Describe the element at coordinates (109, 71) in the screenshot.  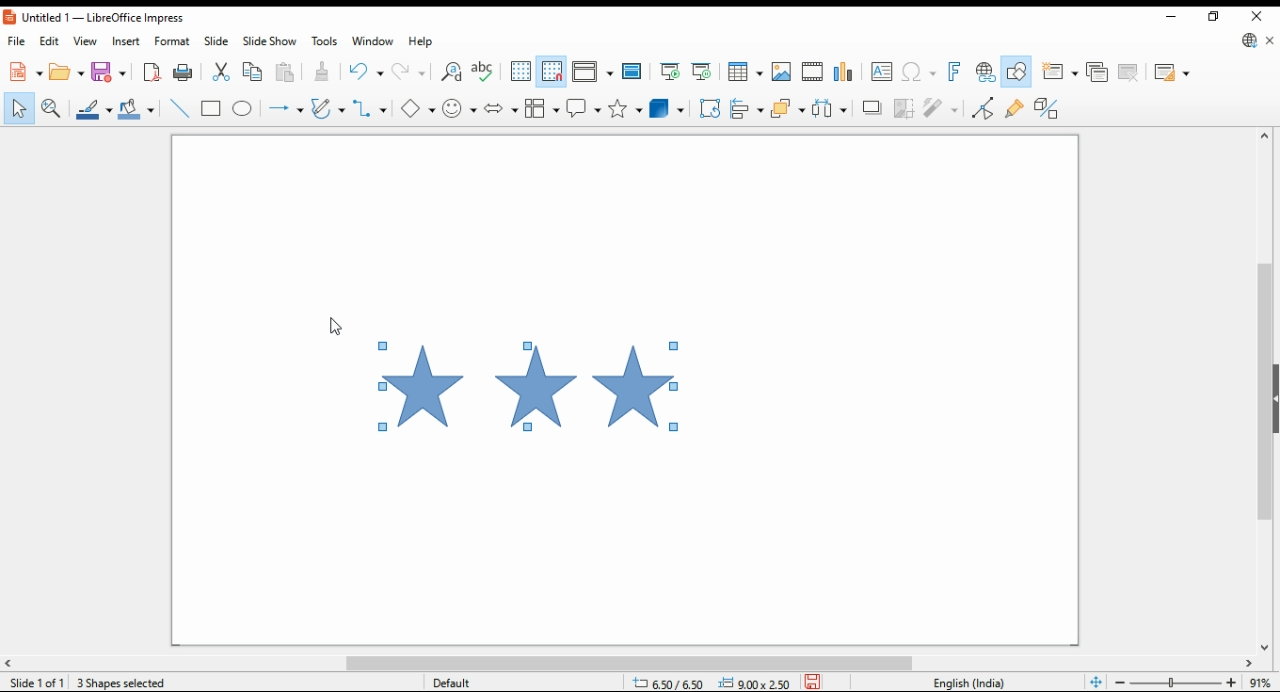
I see `save` at that location.